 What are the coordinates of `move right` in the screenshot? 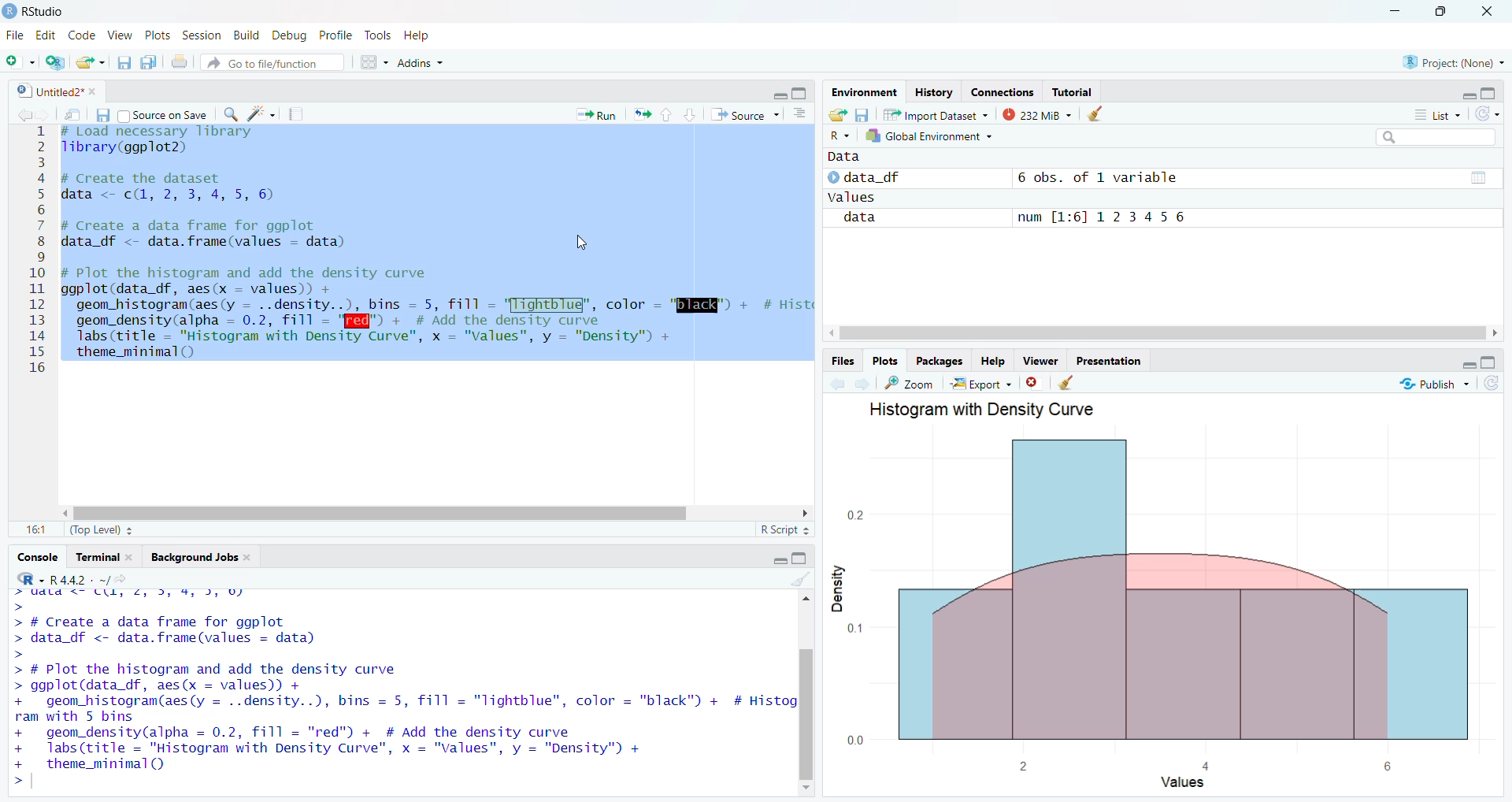 It's located at (832, 332).